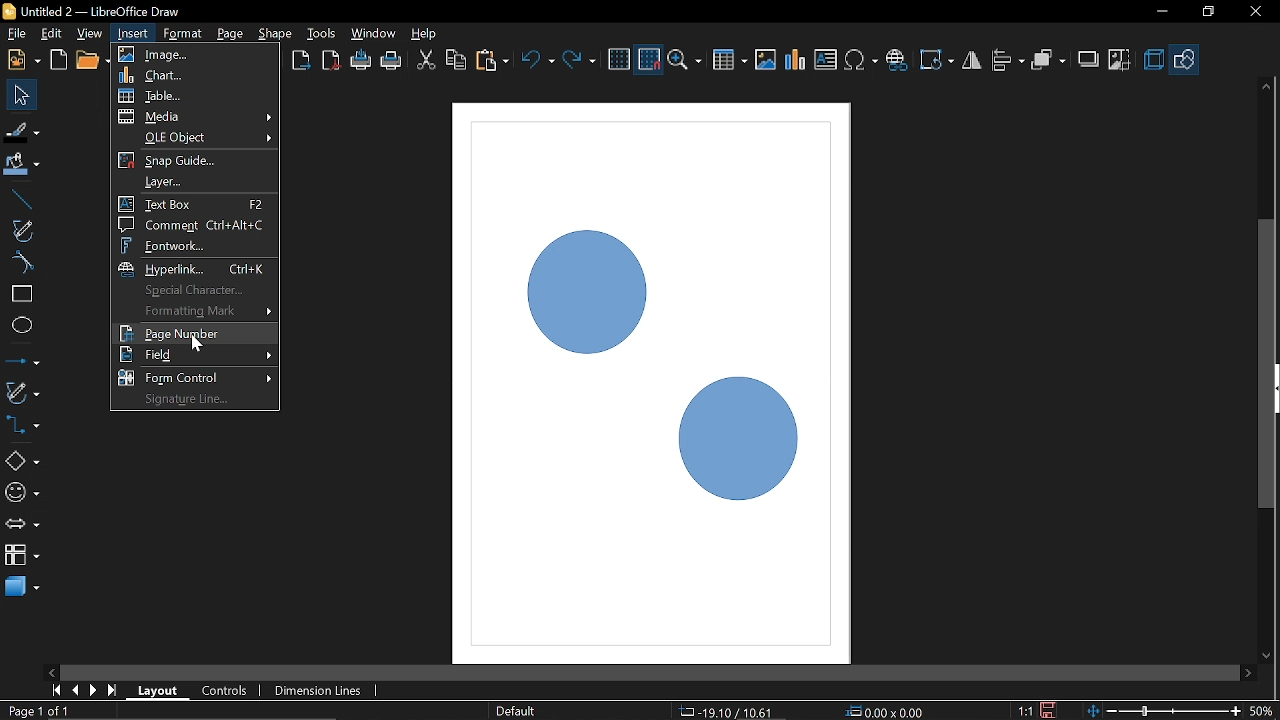 The image size is (1280, 720). Describe the element at coordinates (299, 62) in the screenshot. I see `Export` at that location.